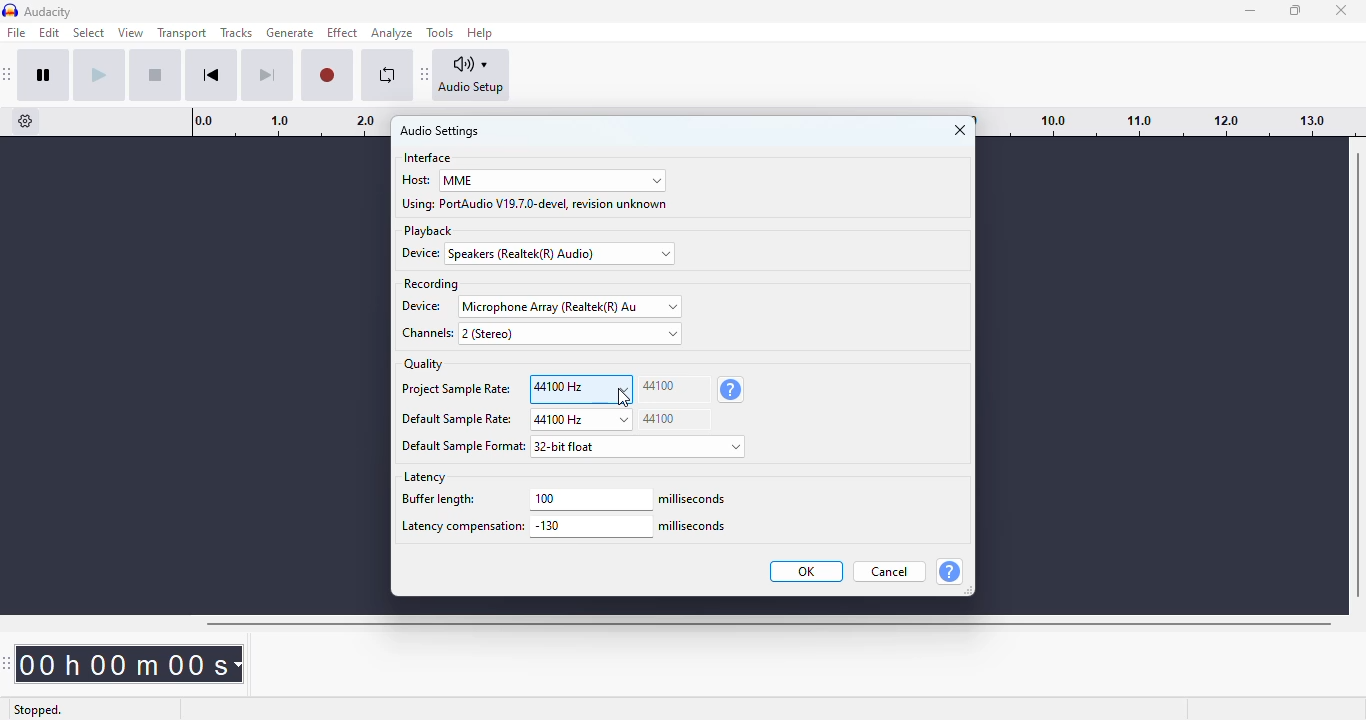  I want to click on logo, so click(10, 11).